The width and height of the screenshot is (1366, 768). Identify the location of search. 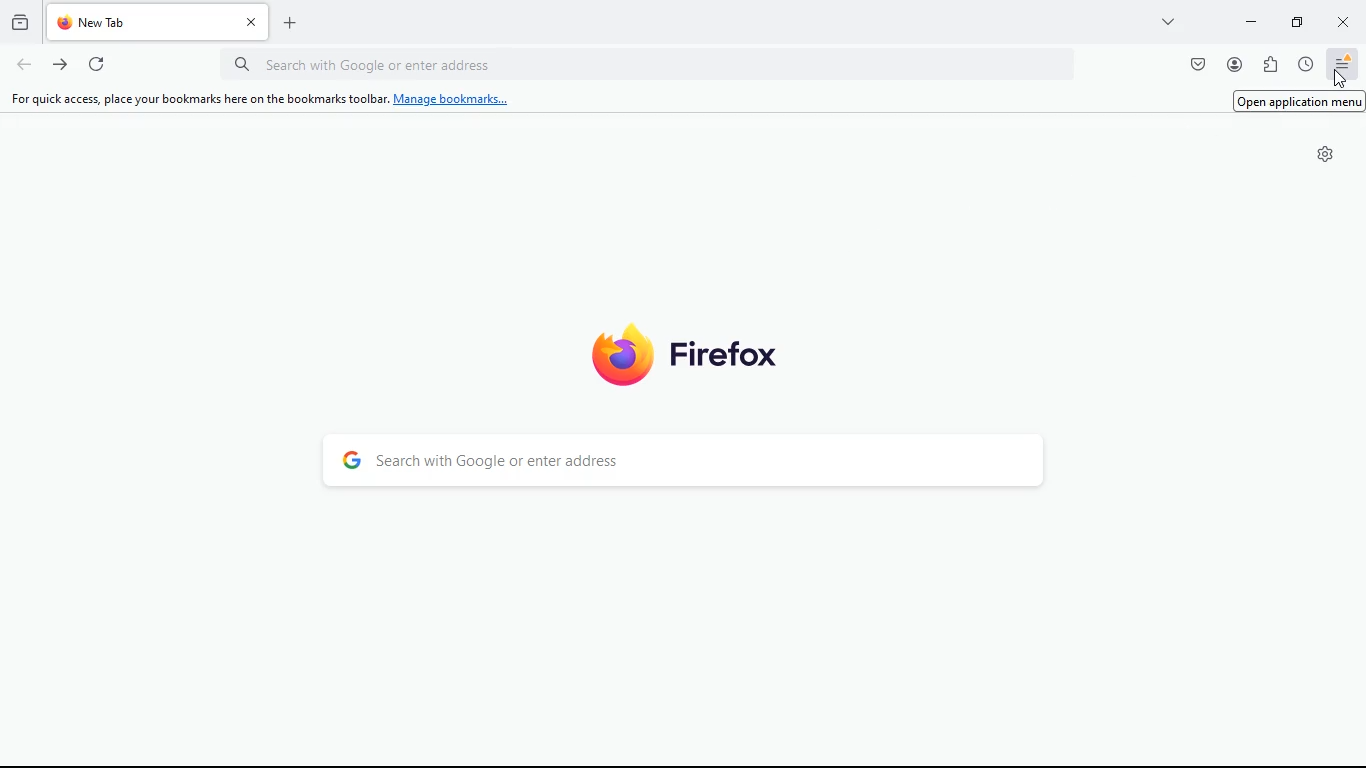
(686, 464).